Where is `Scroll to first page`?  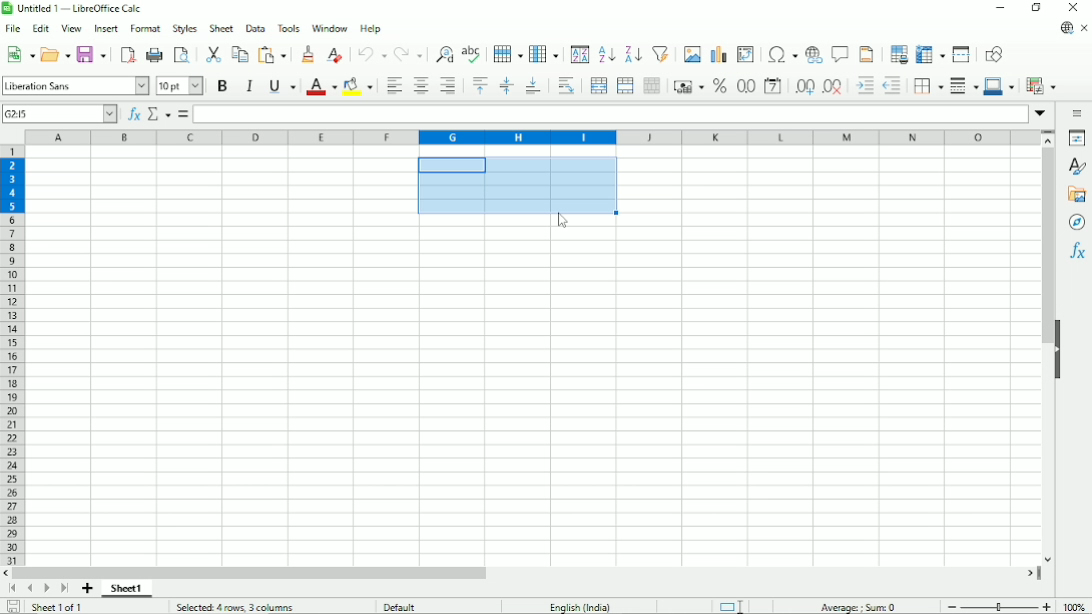 Scroll to first page is located at coordinates (12, 588).